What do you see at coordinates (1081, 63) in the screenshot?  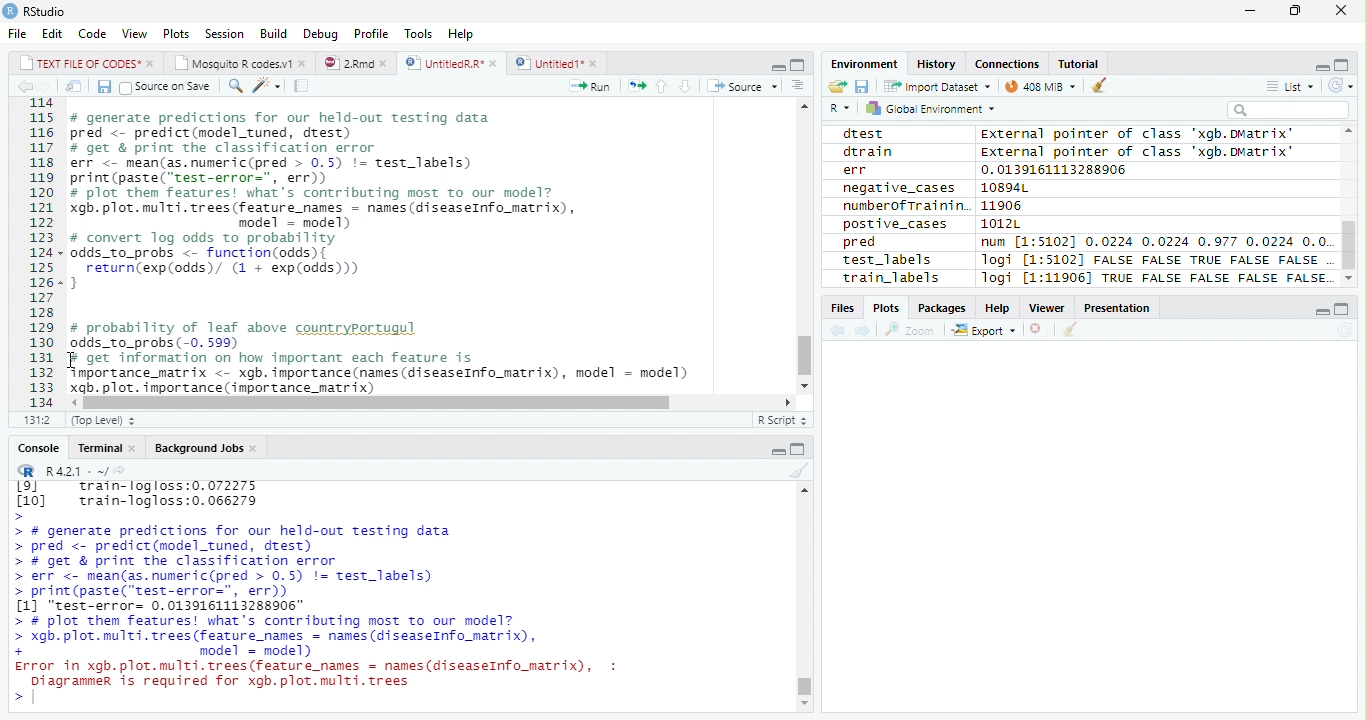 I see `Tutorial` at bounding box center [1081, 63].